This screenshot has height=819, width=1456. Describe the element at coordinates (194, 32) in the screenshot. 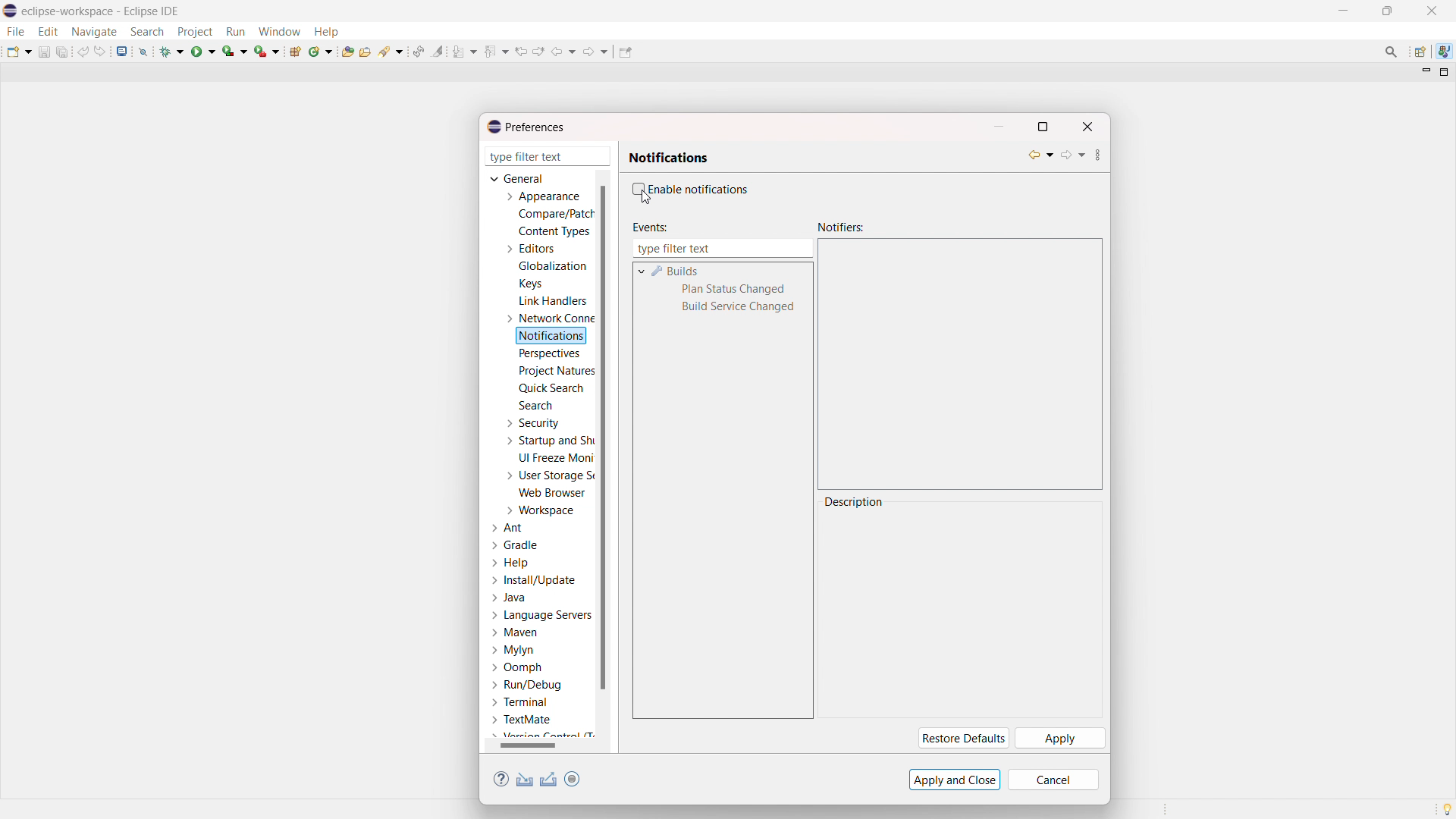

I see `project` at that location.